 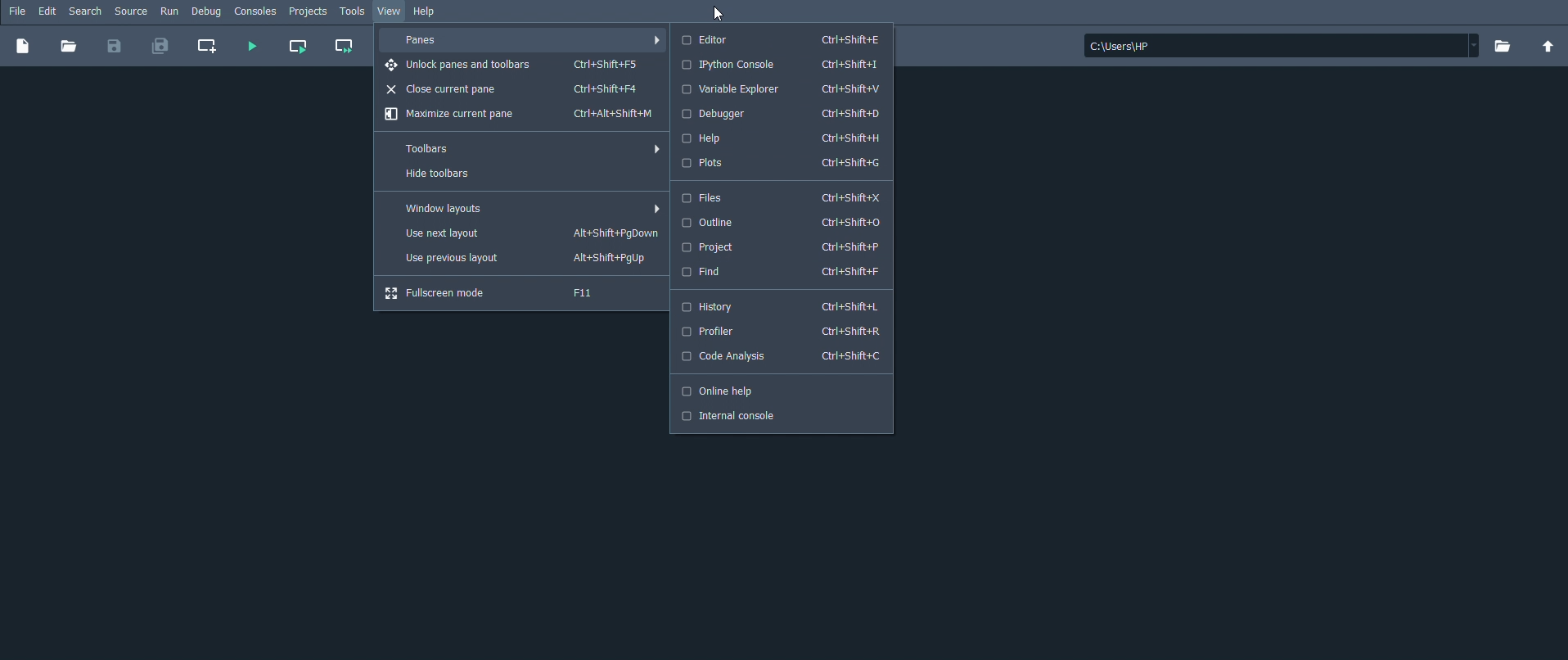 I want to click on Unlock panes and toolbars, so click(x=525, y=66).